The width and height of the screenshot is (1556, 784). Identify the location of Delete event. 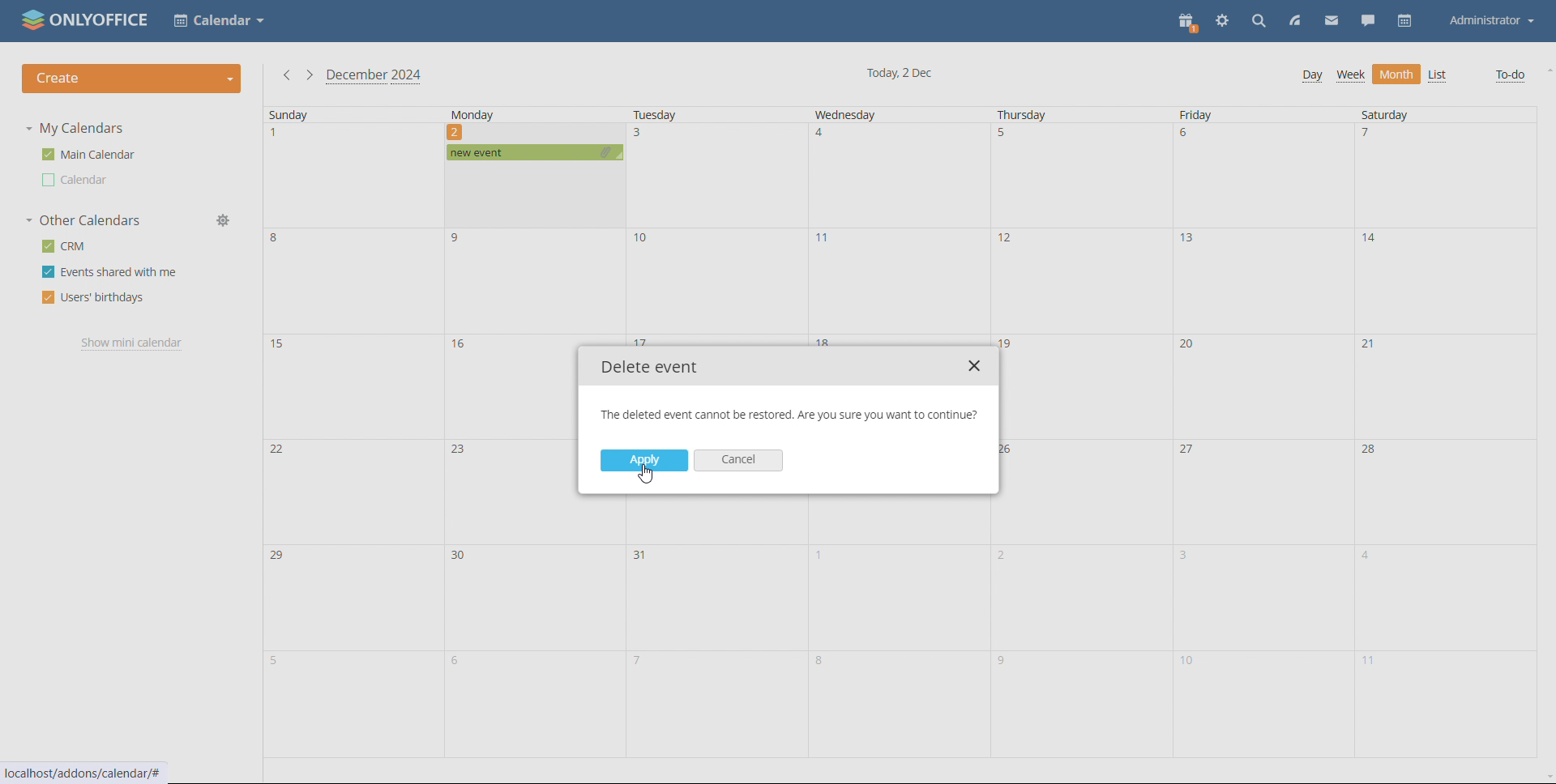
(651, 368).